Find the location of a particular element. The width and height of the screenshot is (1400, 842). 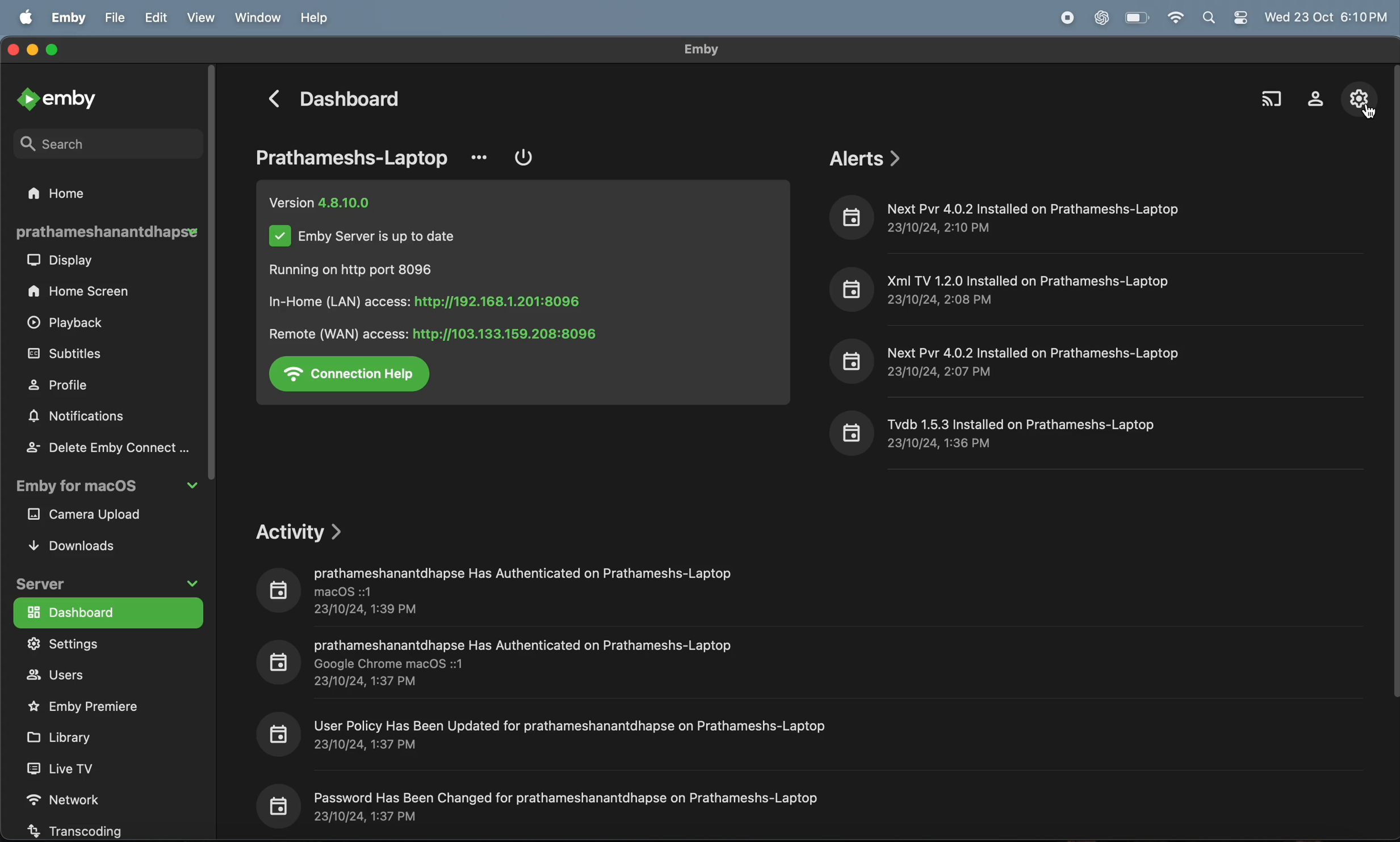

cast is located at coordinates (1268, 98).